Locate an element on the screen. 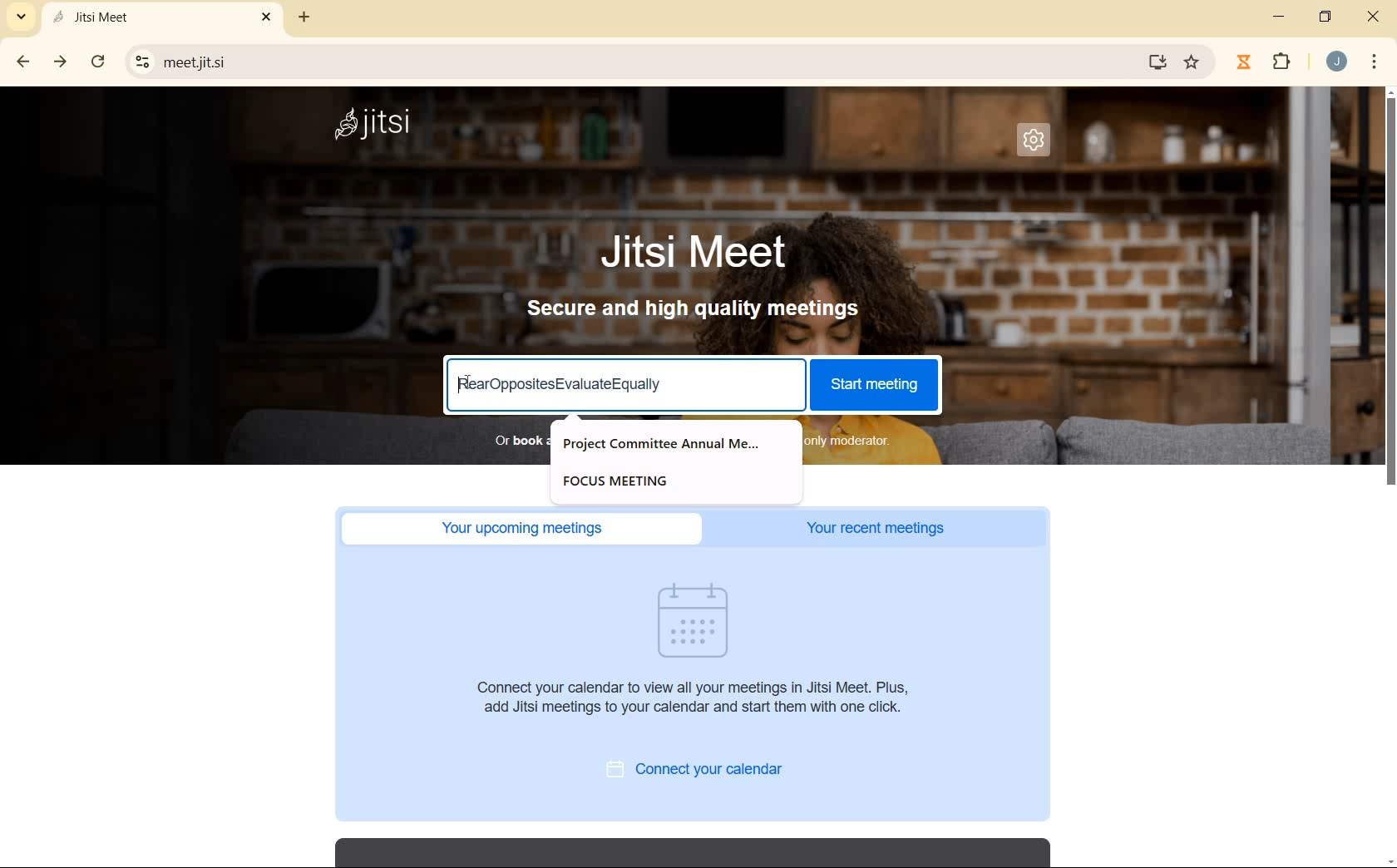 The width and height of the screenshot is (1397, 868). View Site Information is located at coordinates (143, 62).